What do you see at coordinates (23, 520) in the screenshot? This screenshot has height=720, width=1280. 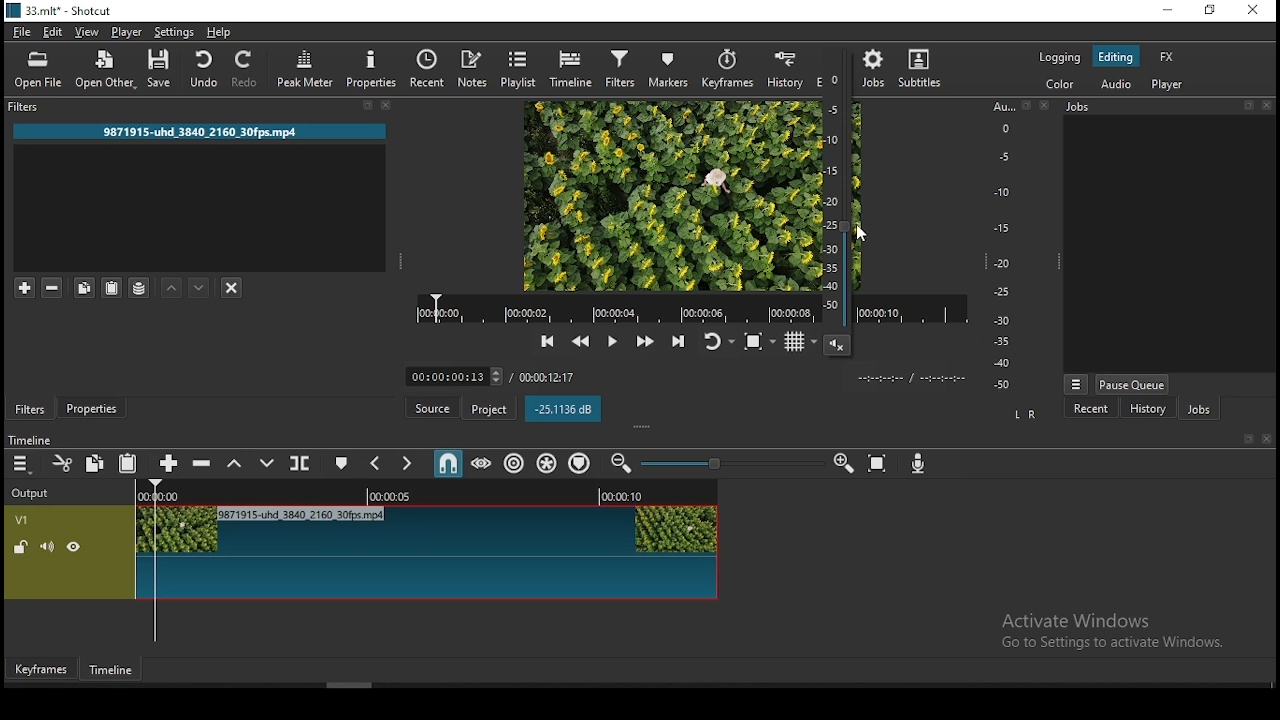 I see `V1` at bounding box center [23, 520].